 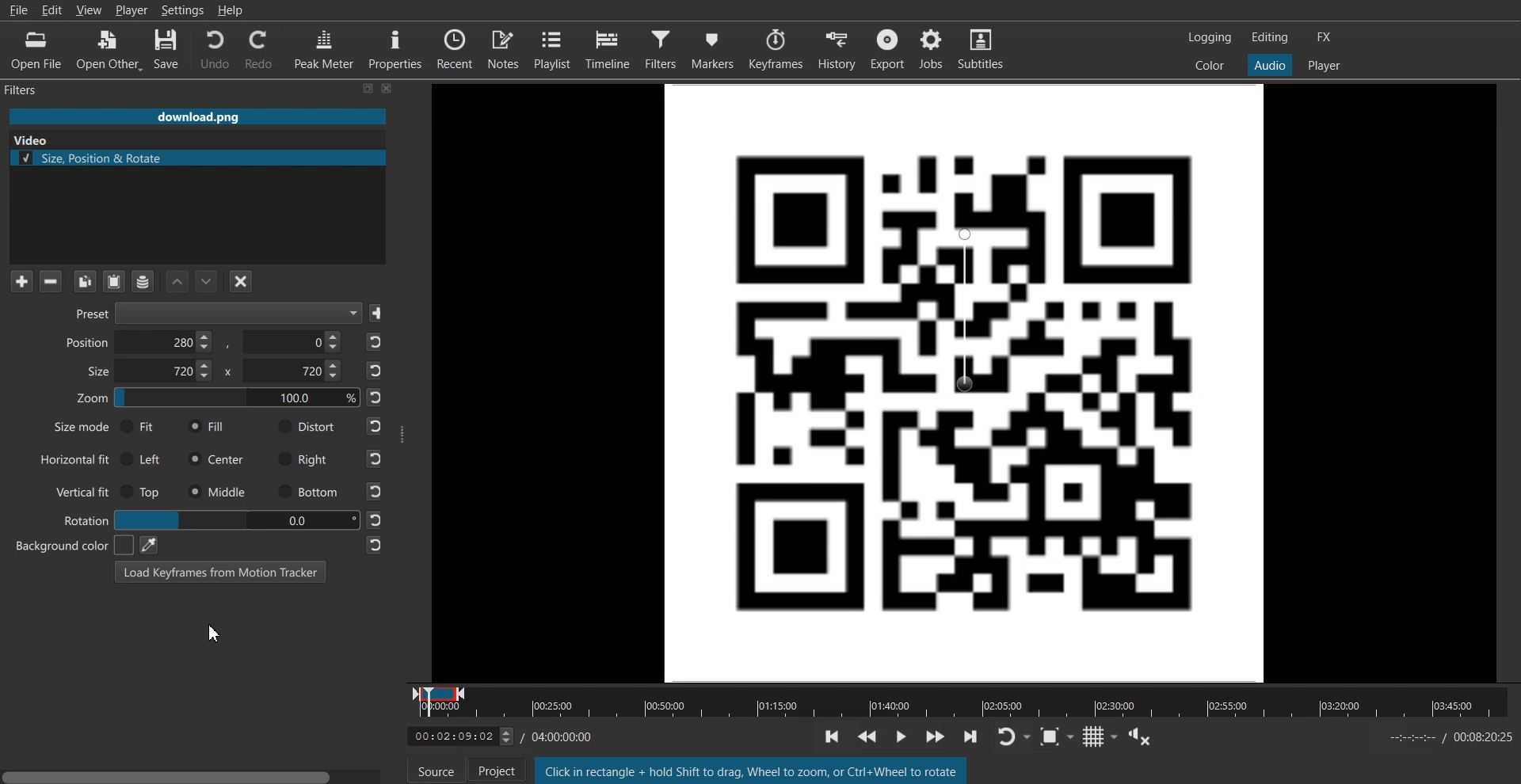 I want to click on Background color, so click(x=66, y=545).